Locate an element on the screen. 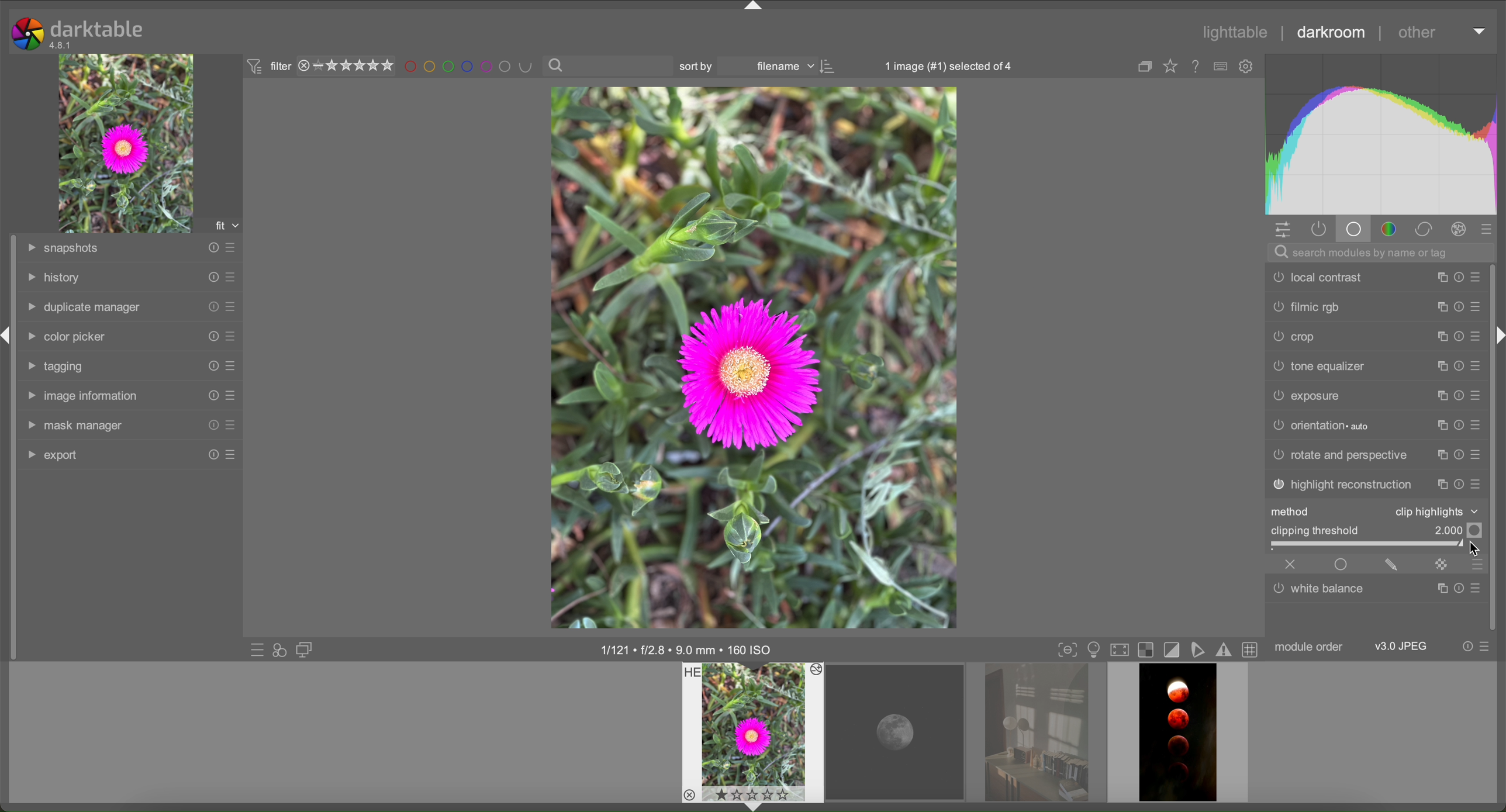  toggle focus-peaking mode is located at coordinates (1068, 649).